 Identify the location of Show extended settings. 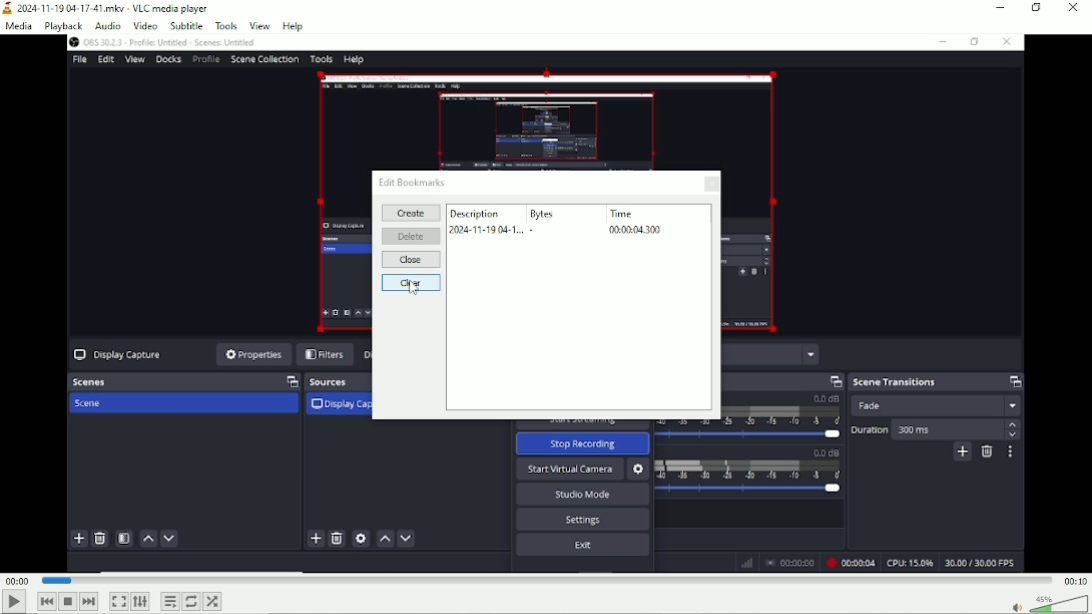
(140, 602).